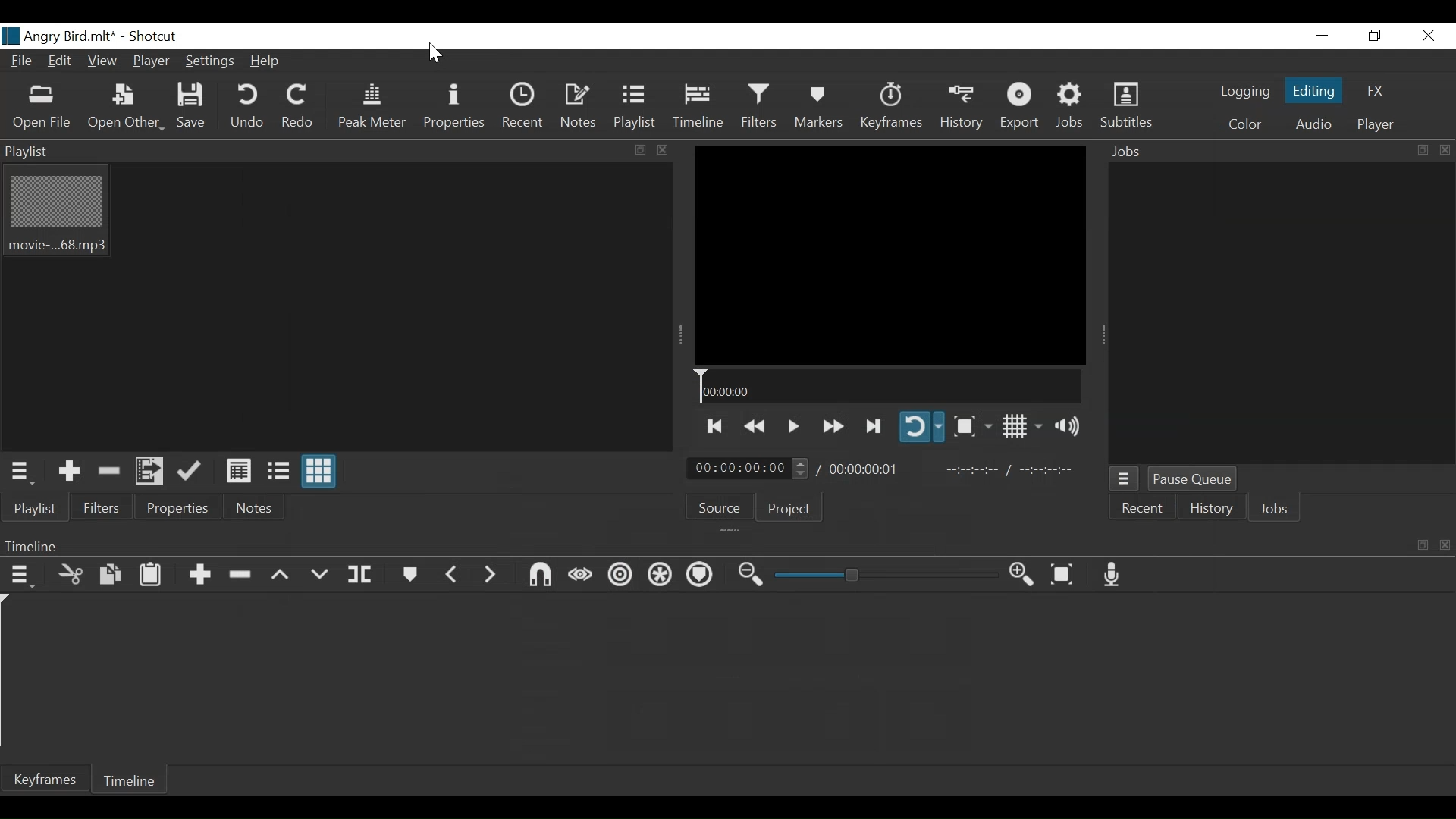 This screenshot has width=1456, height=819. I want to click on Timeline, so click(698, 106).